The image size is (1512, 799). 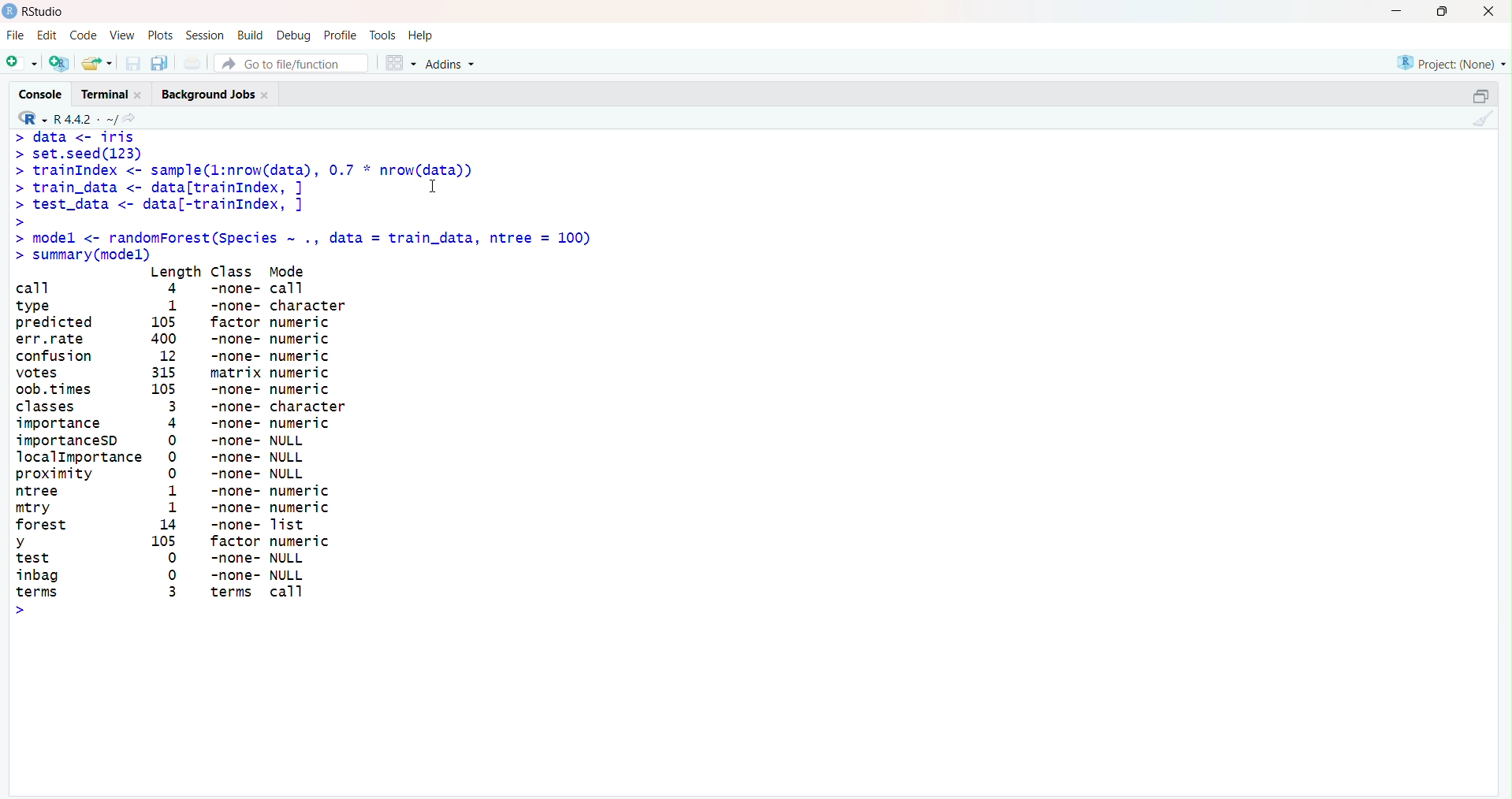 What do you see at coordinates (15, 238) in the screenshot?
I see `Prompt cursor` at bounding box center [15, 238].